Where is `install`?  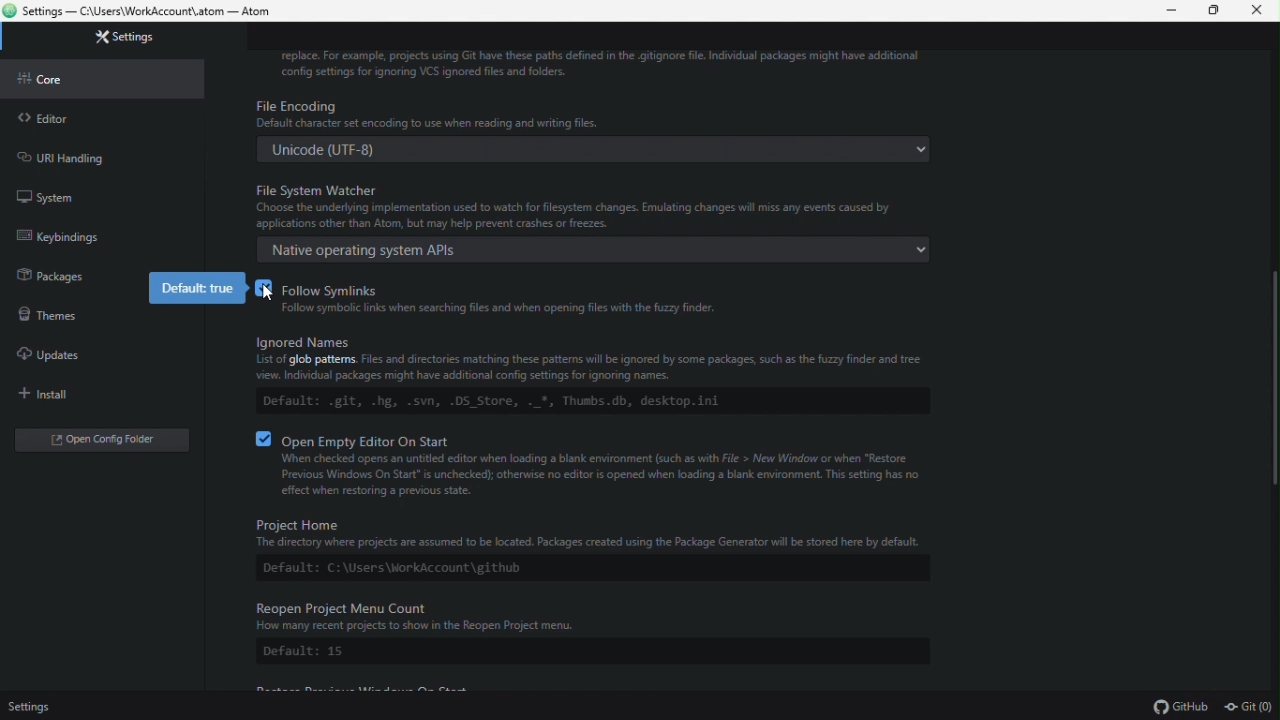 install is located at coordinates (93, 393).